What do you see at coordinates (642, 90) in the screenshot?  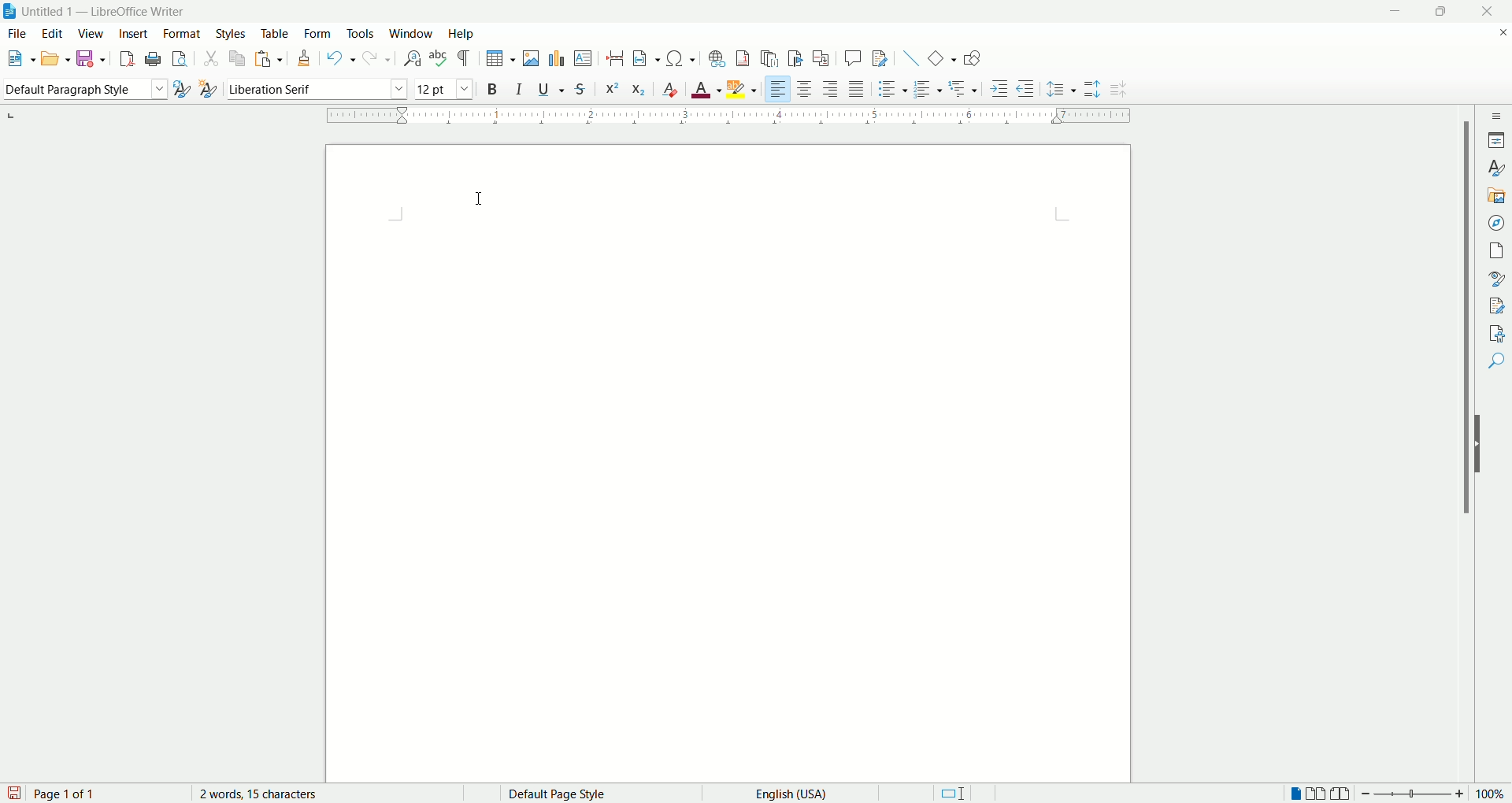 I see `subscript` at bounding box center [642, 90].